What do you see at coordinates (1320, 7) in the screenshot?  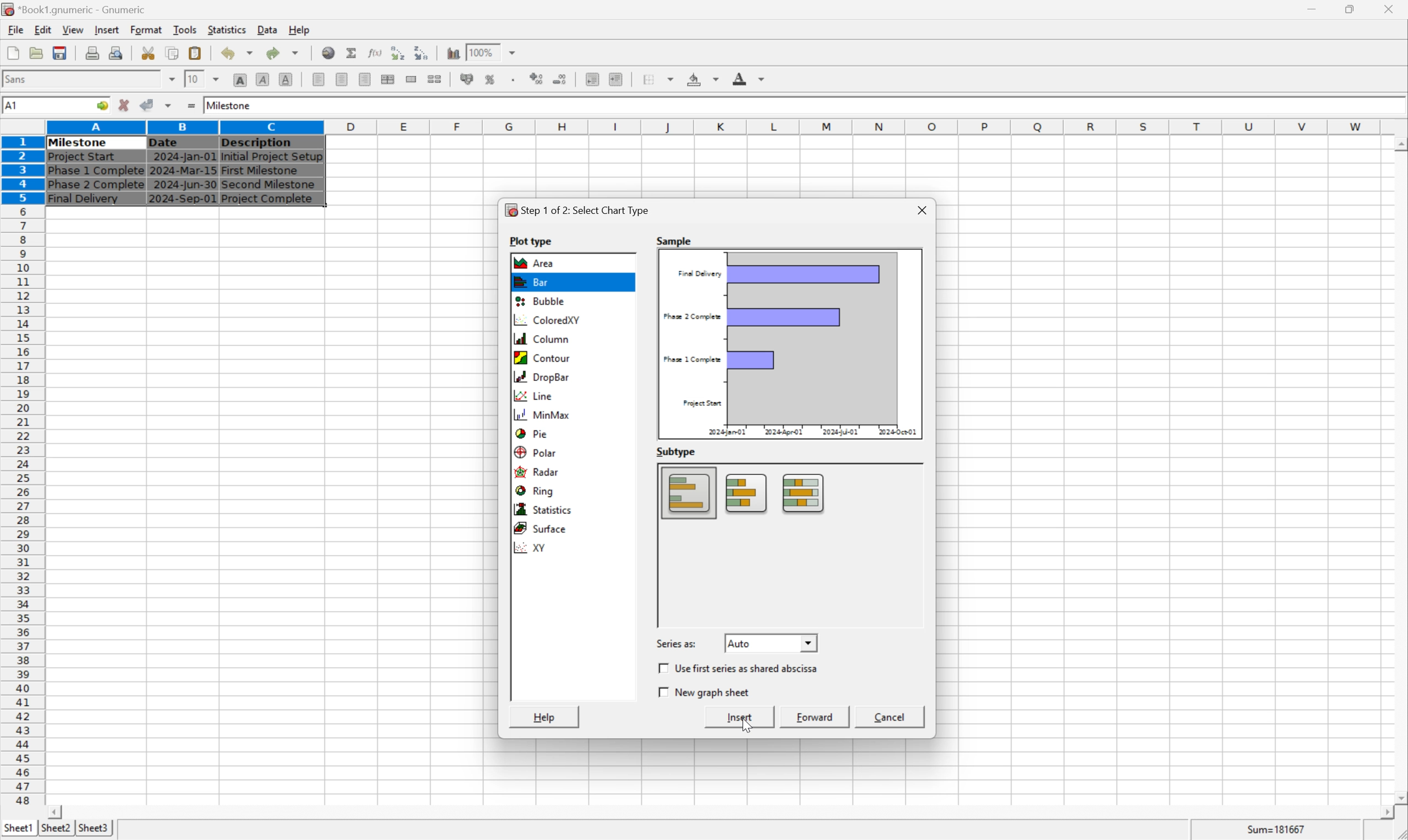 I see `minimize` at bounding box center [1320, 7].